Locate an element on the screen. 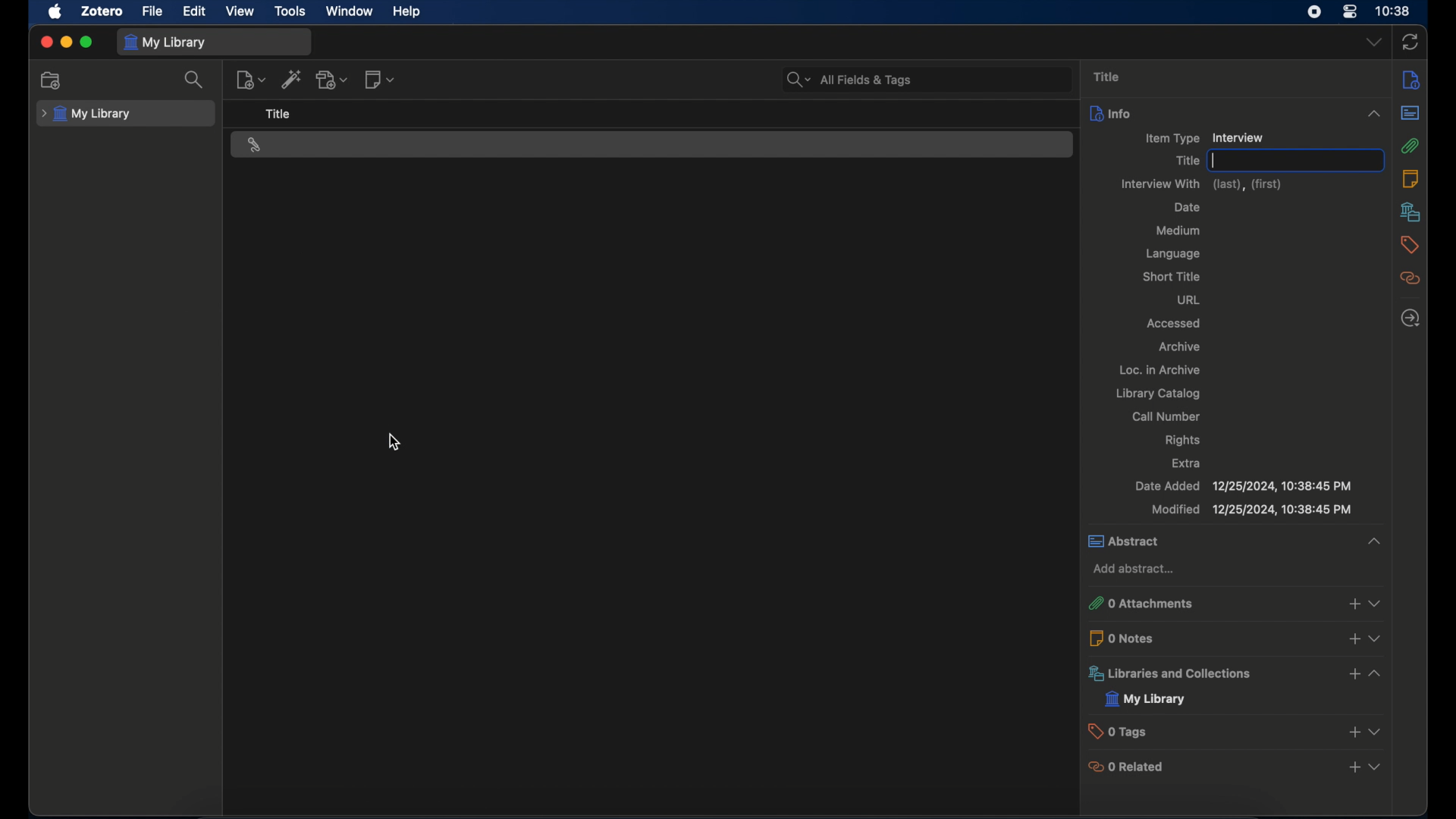 The image size is (1456, 819). new item is located at coordinates (251, 80).